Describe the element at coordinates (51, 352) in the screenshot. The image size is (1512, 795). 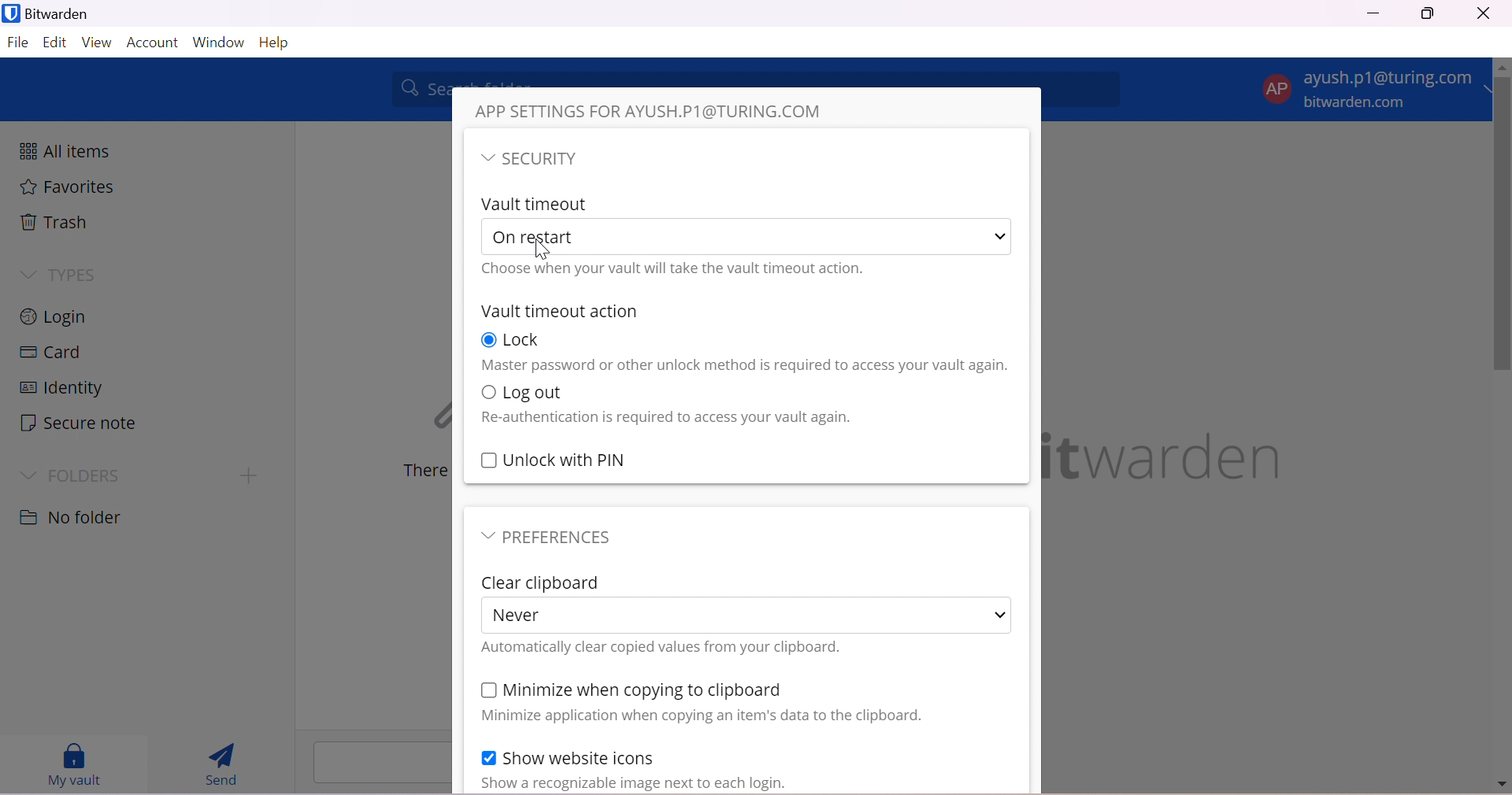
I see `Card` at that location.